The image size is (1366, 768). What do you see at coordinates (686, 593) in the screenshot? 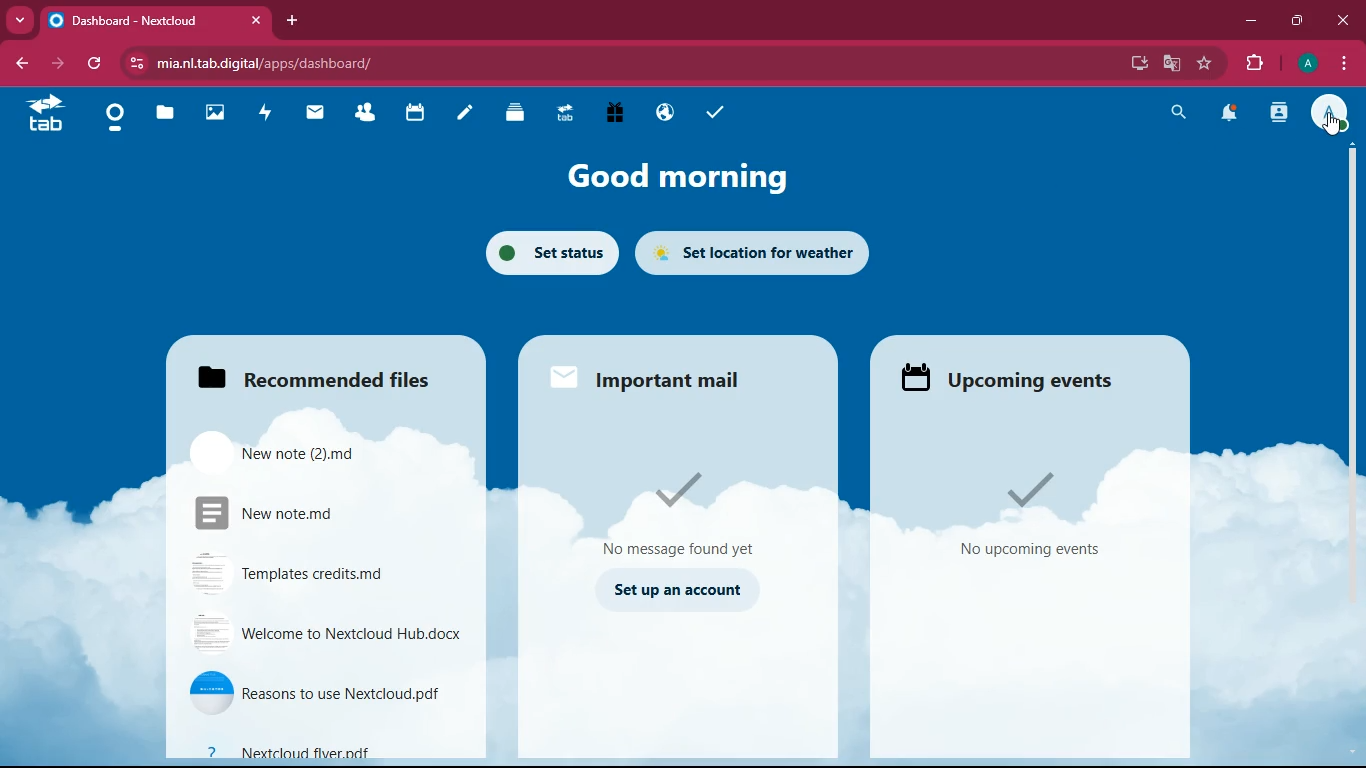
I see `set up an account` at bounding box center [686, 593].